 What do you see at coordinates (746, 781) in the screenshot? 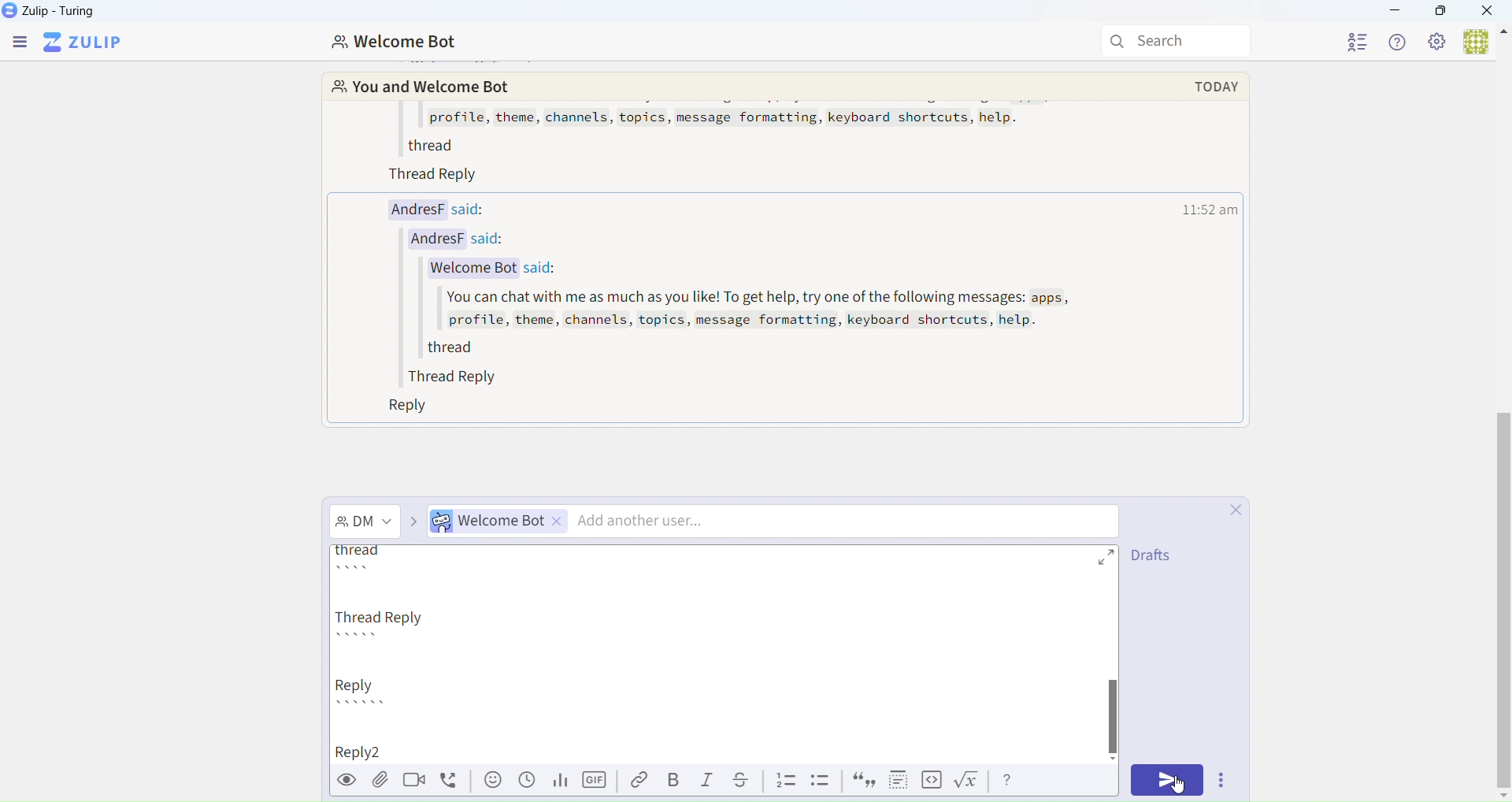
I see `Underline` at bounding box center [746, 781].